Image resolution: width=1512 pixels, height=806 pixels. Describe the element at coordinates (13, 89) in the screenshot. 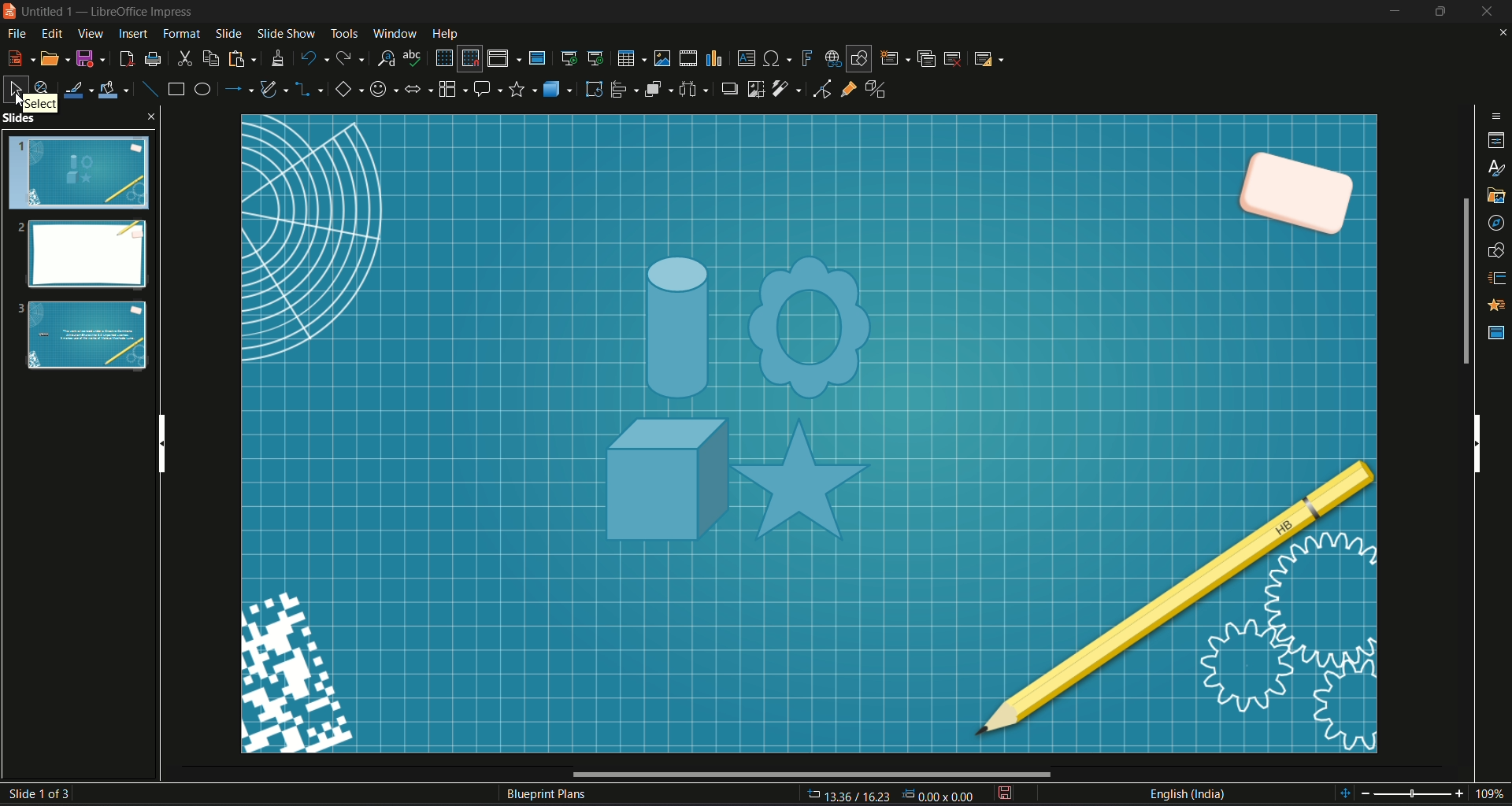

I see `select` at that location.